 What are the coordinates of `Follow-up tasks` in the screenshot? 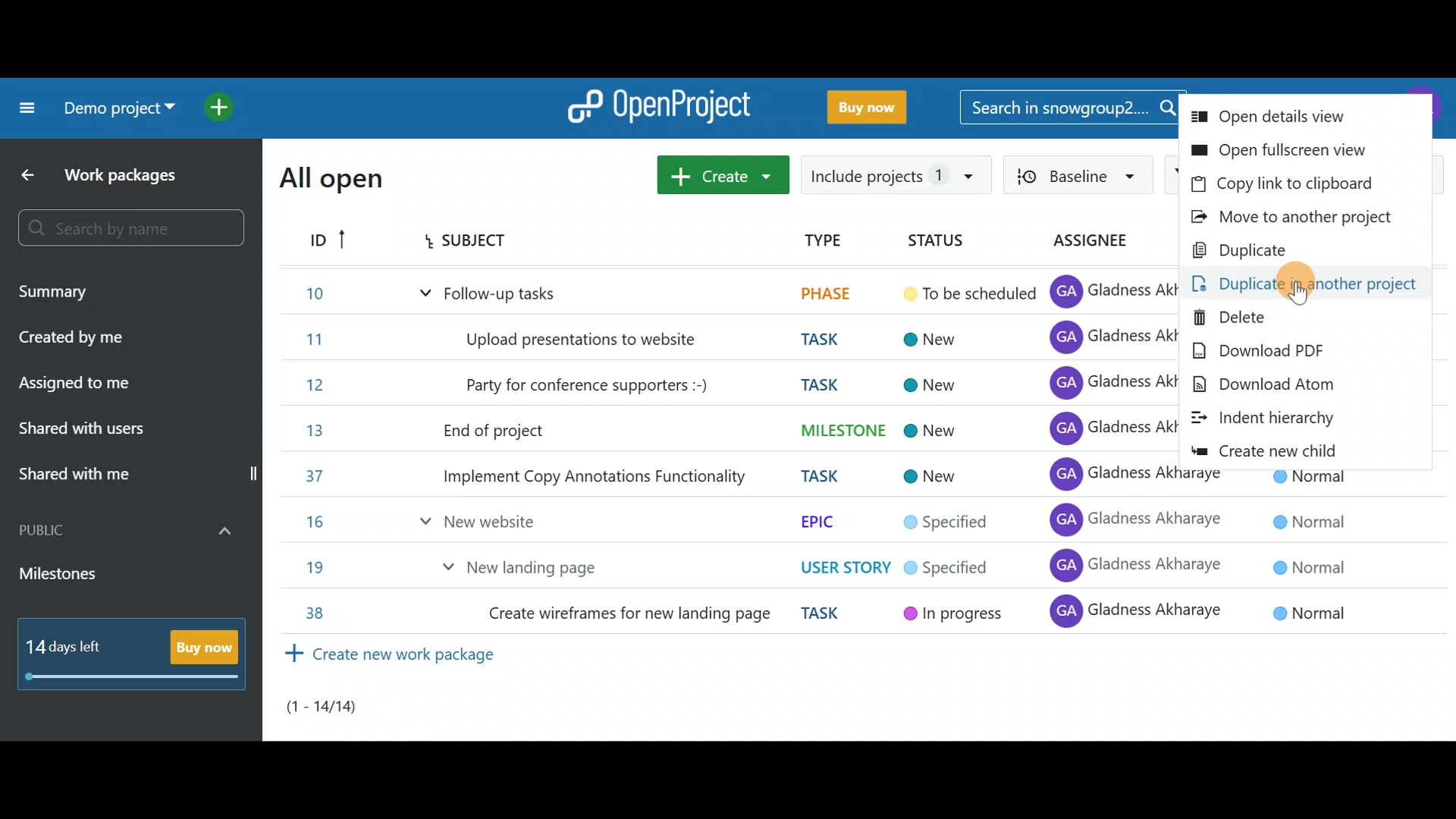 It's located at (494, 293).